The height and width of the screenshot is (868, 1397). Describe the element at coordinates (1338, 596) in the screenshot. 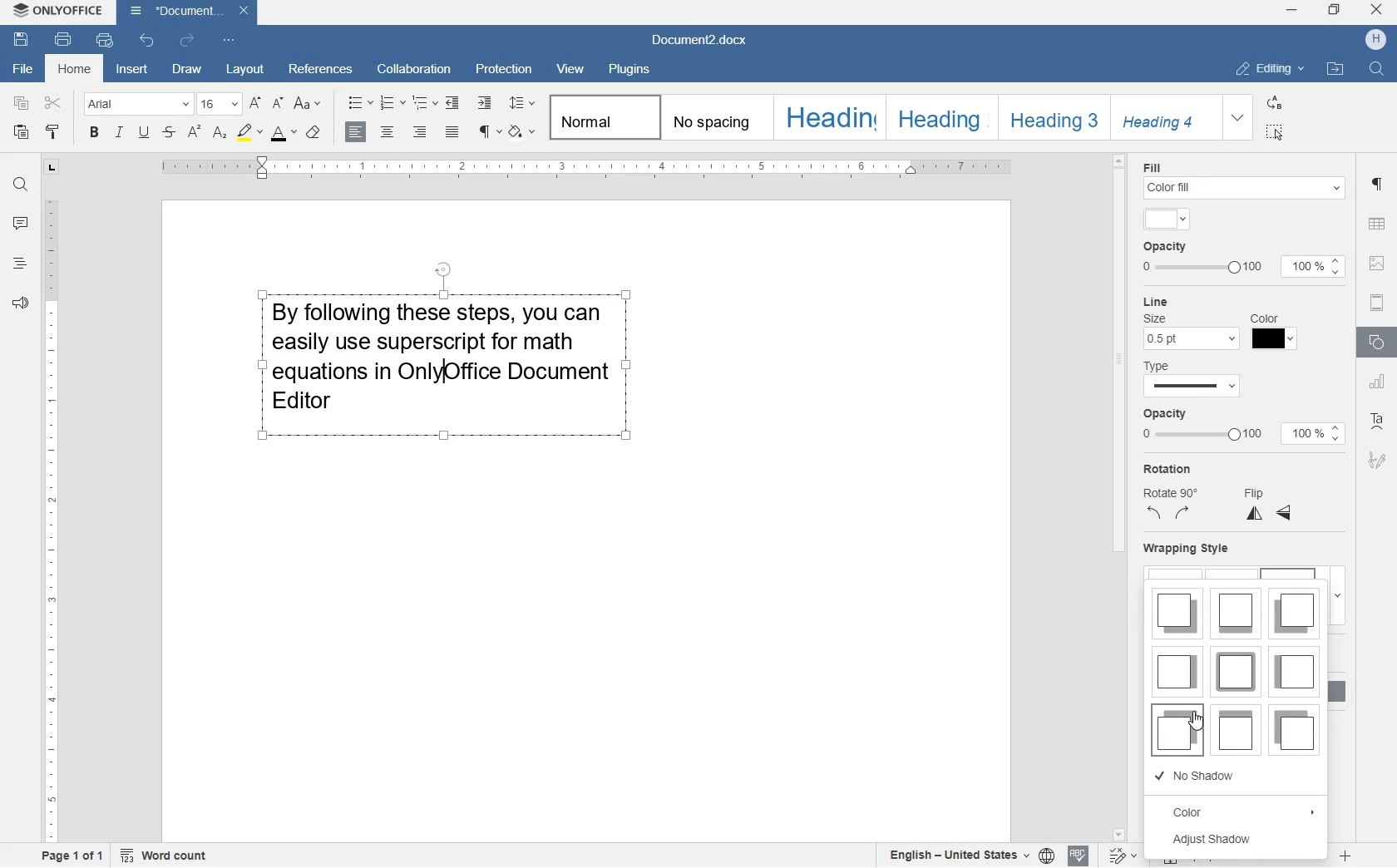

I see `expand` at that location.